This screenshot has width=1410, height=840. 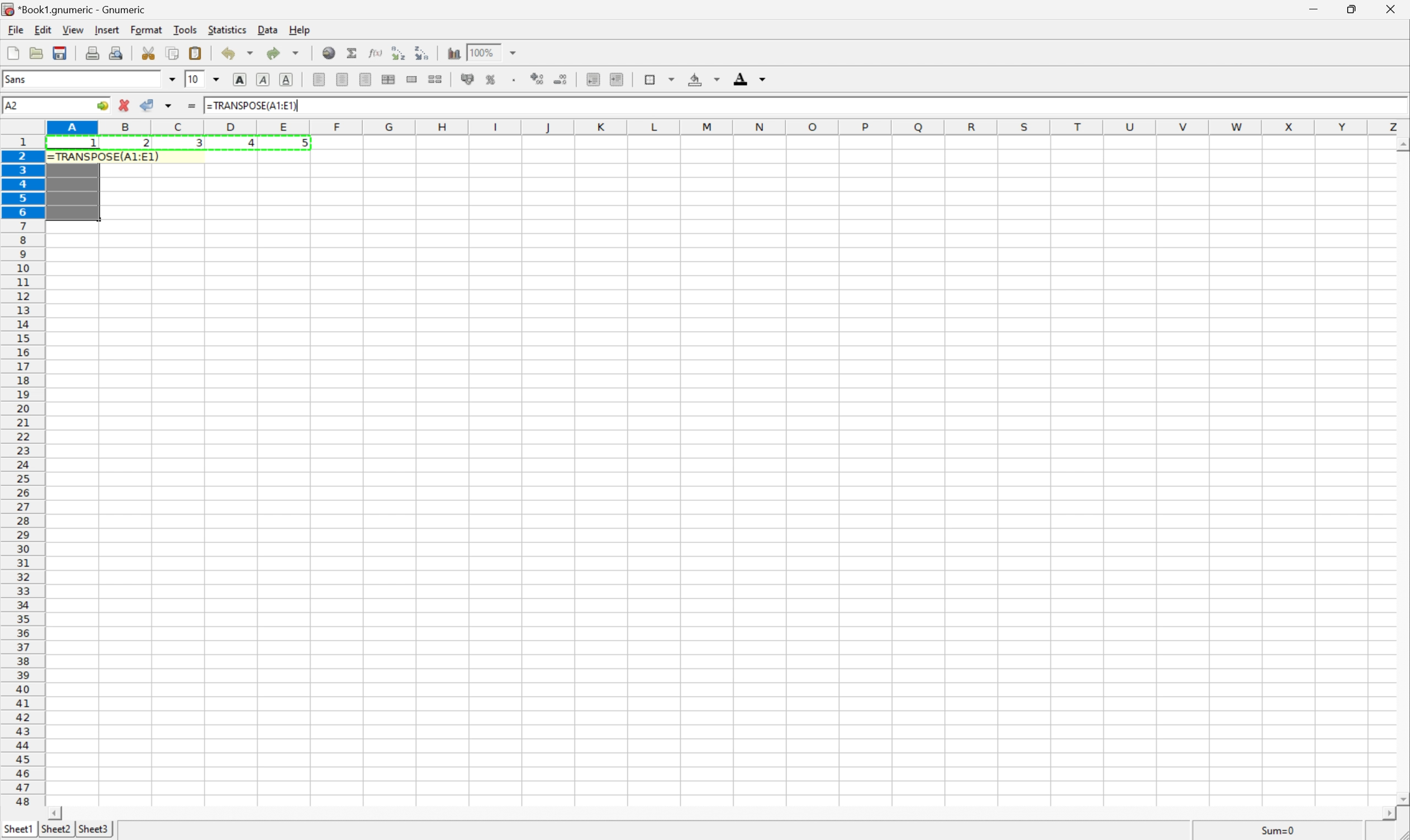 I want to click on edit, so click(x=41, y=29).